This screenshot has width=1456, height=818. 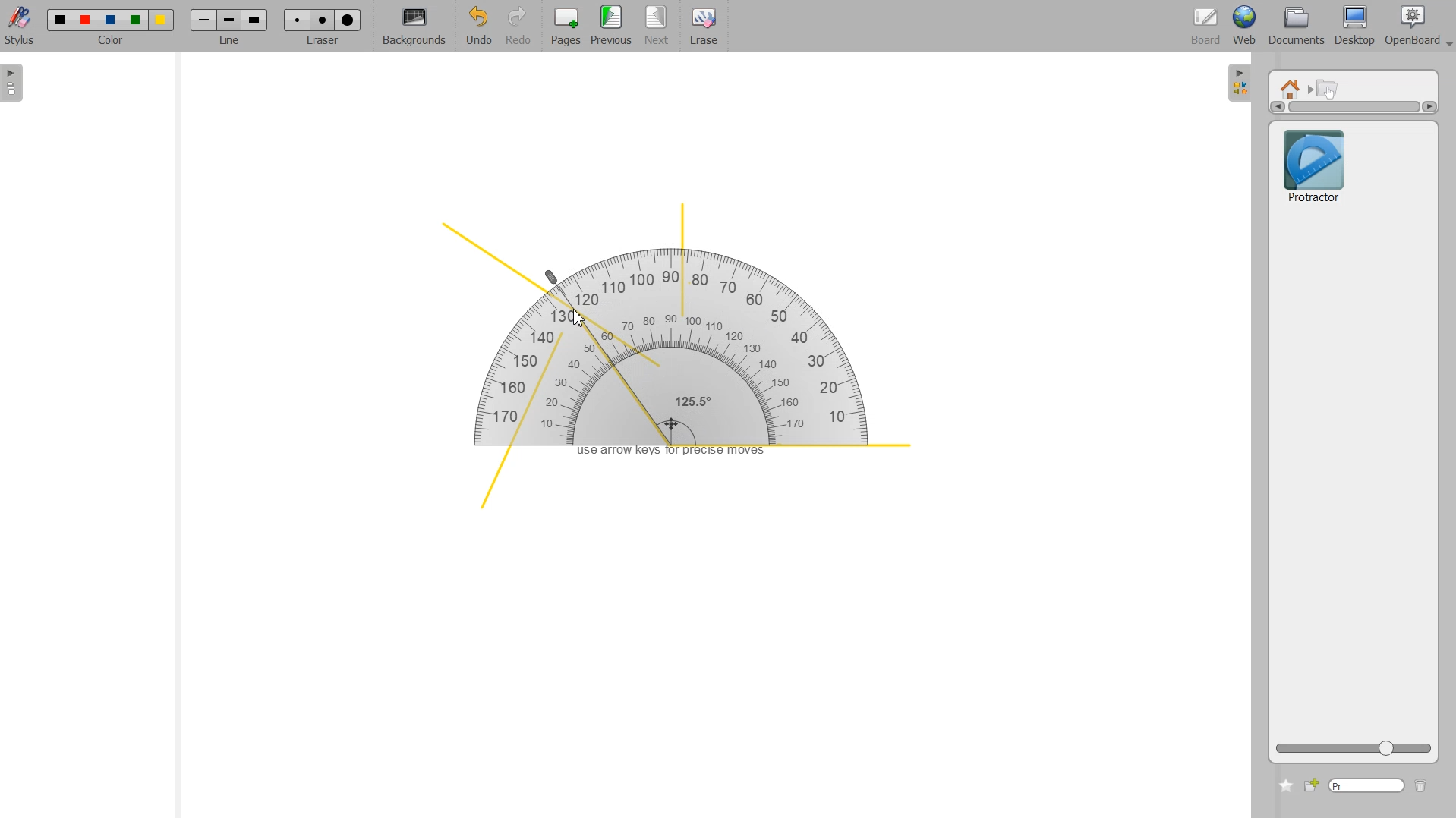 I want to click on Sidebar, so click(x=1240, y=81).